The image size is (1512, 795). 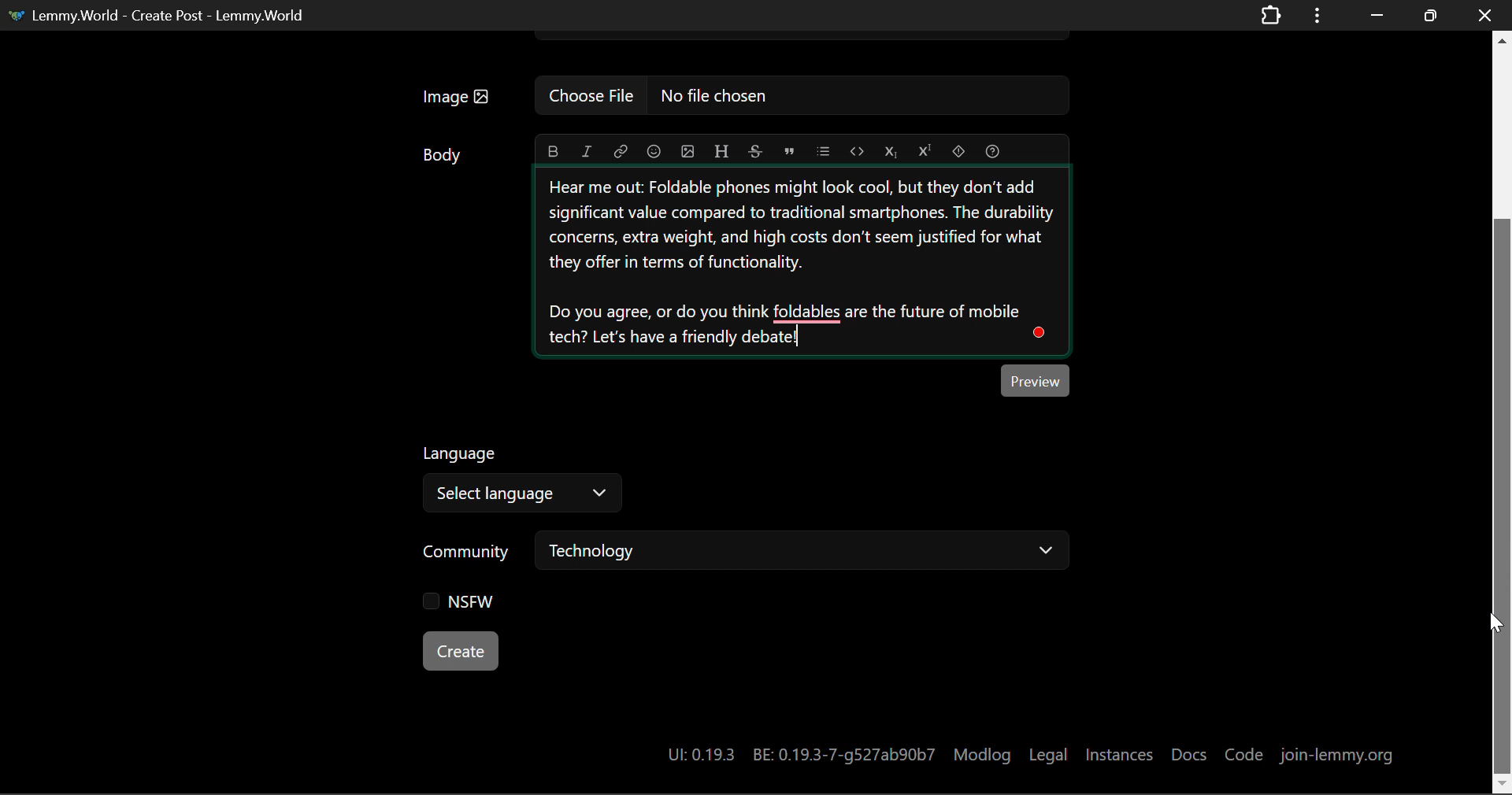 I want to click on Select Post Language, so click(x=520, y=481).